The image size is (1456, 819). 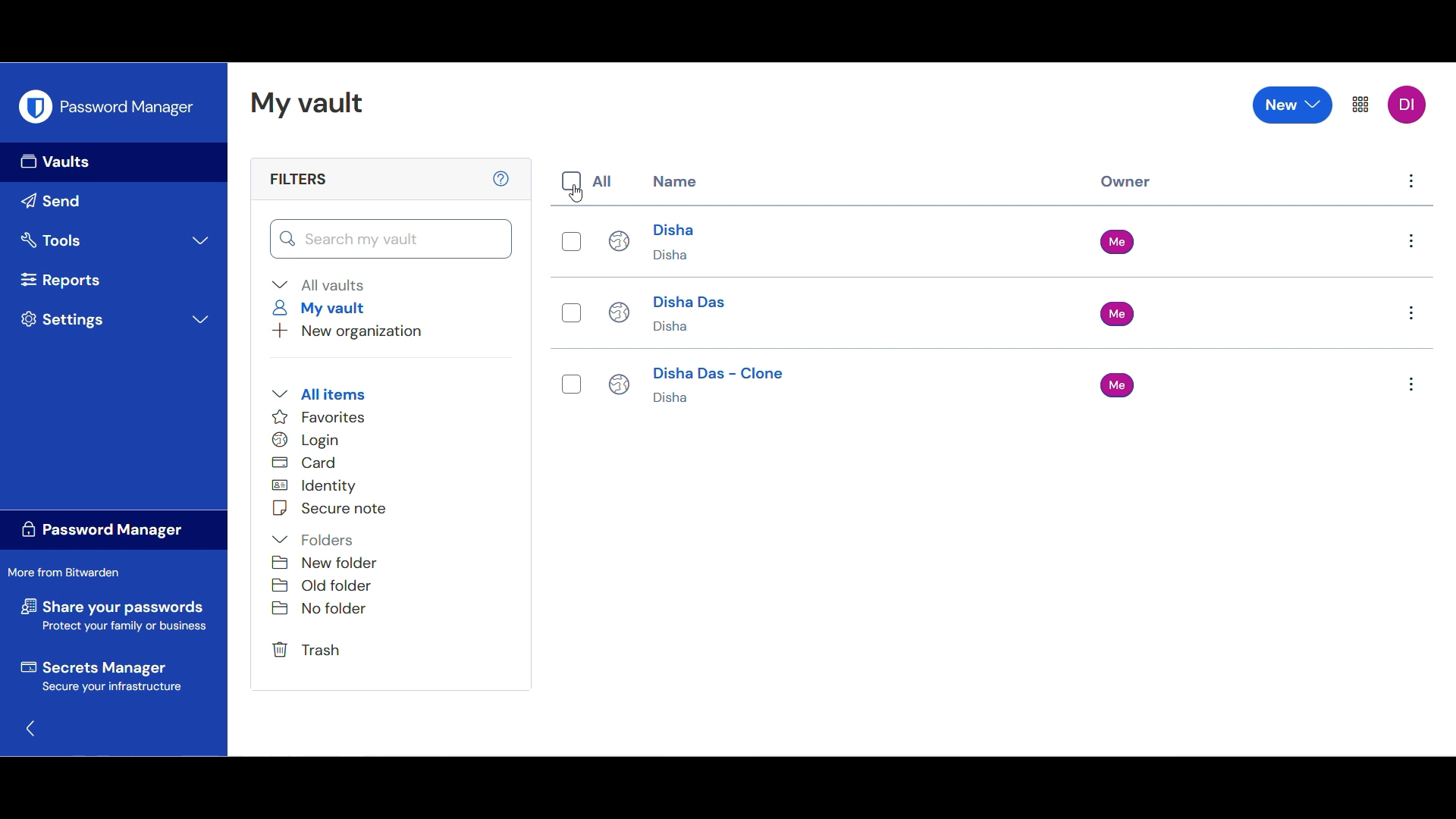 What do you see at coordinates (1360, 105) in the screenshot?
I see `More settings` at bounding box center [1360, 105].